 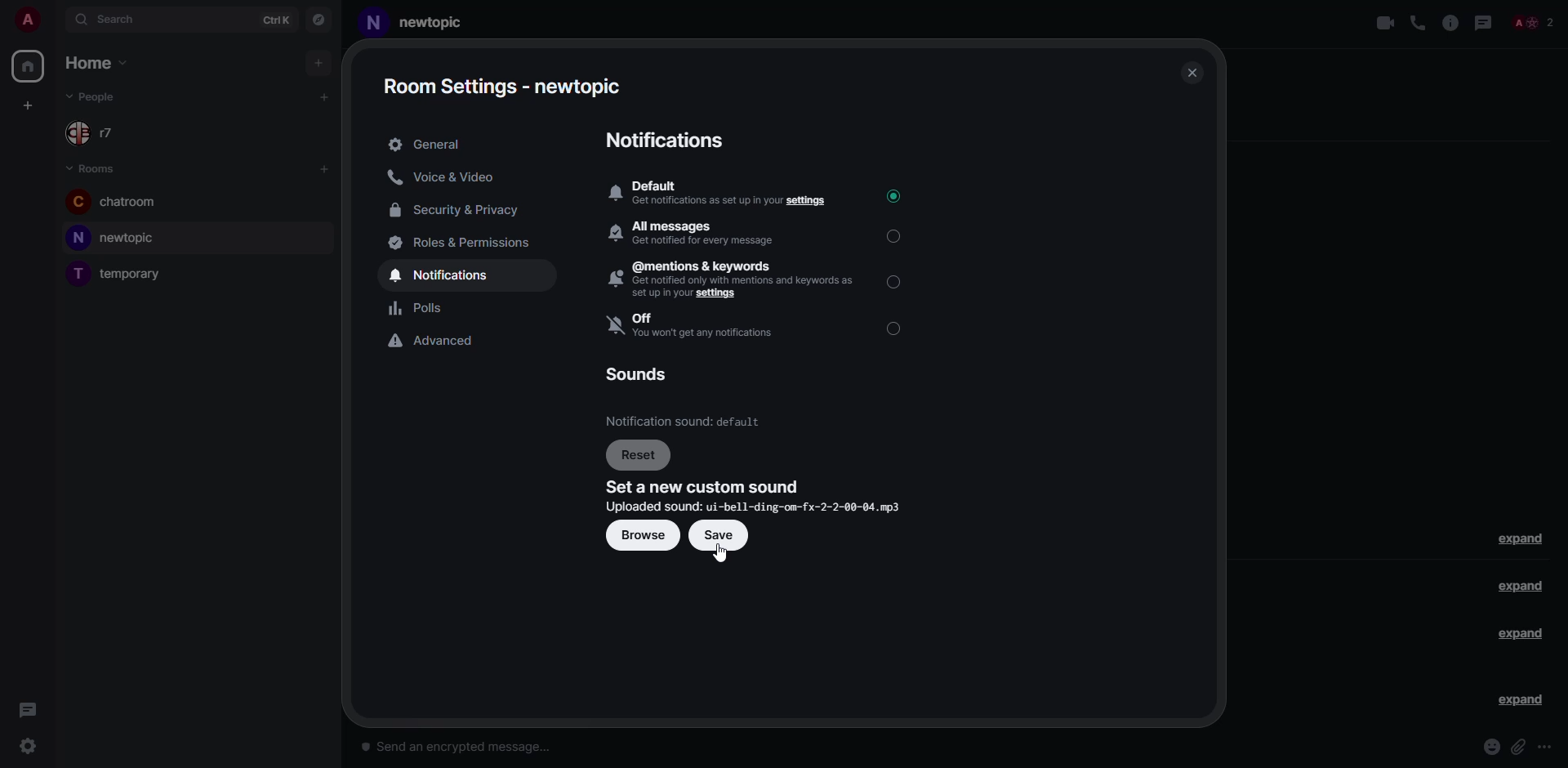 What do you see at coordinates (752, 507) in the screenshot?
I see `updated sound` at bounding box center [752, 507].